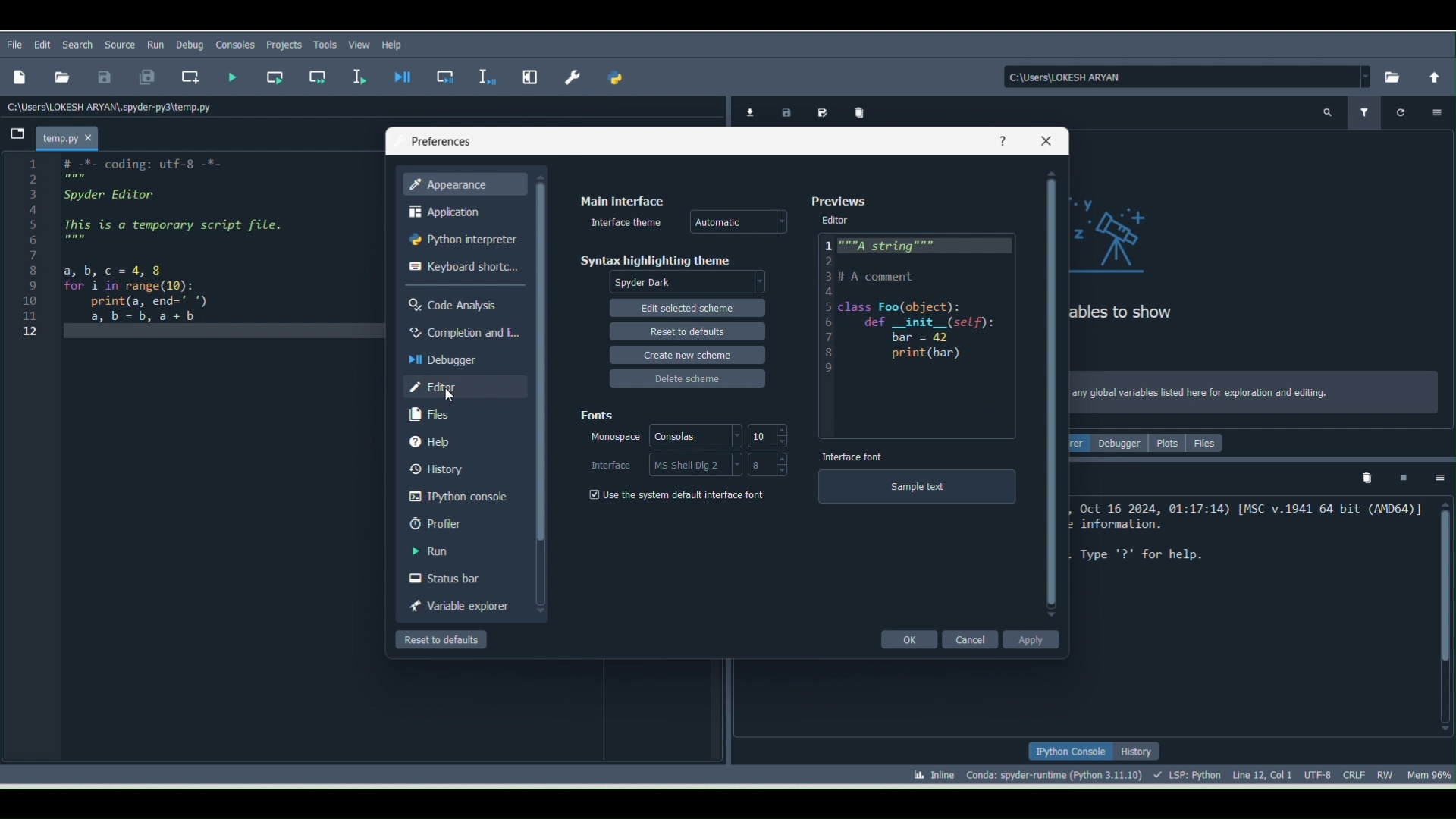  I want to click on Save data as, so click(822, 111).